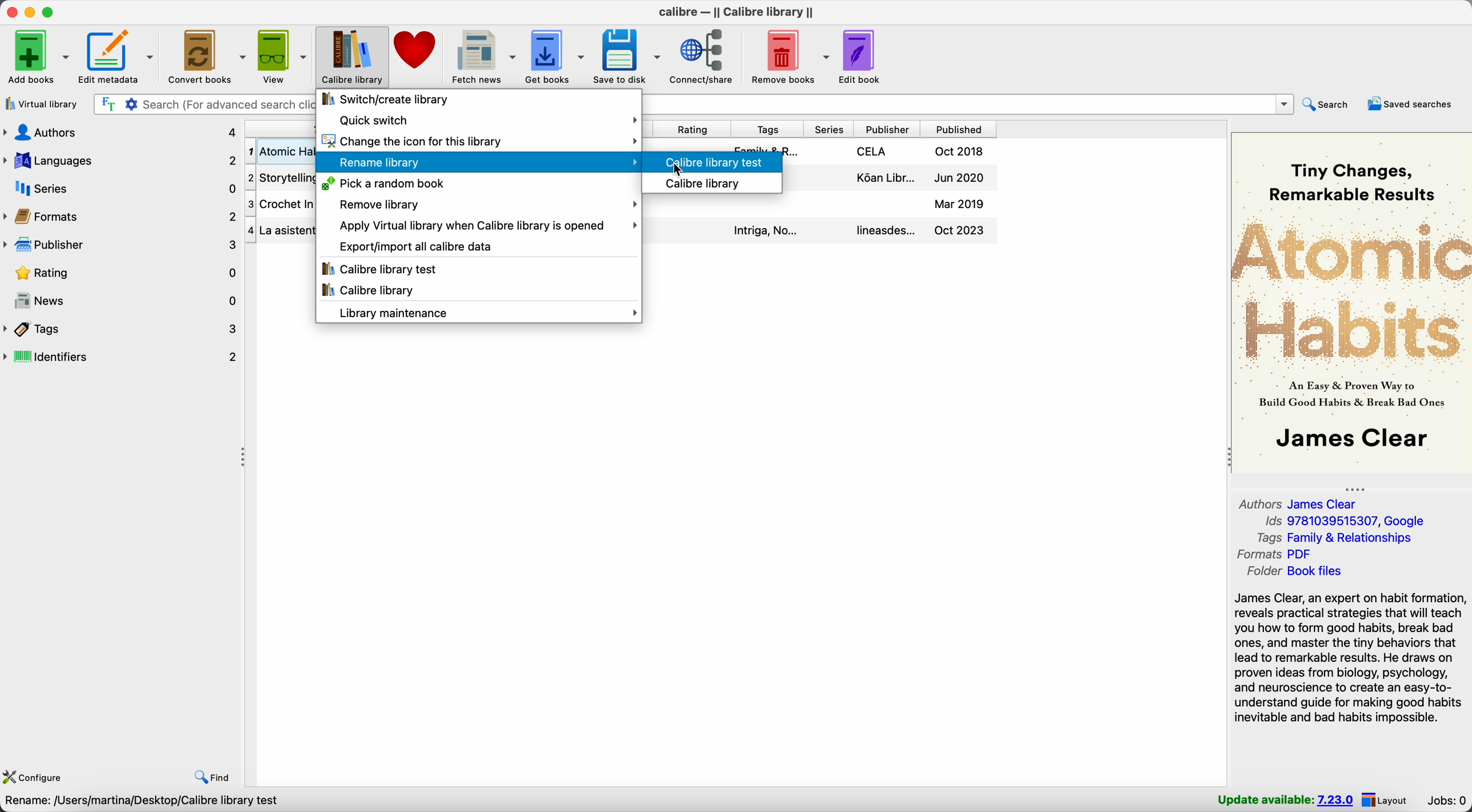 The image size is (1472, 812). I want to click on La Asistenta details book, so click(821, 231).